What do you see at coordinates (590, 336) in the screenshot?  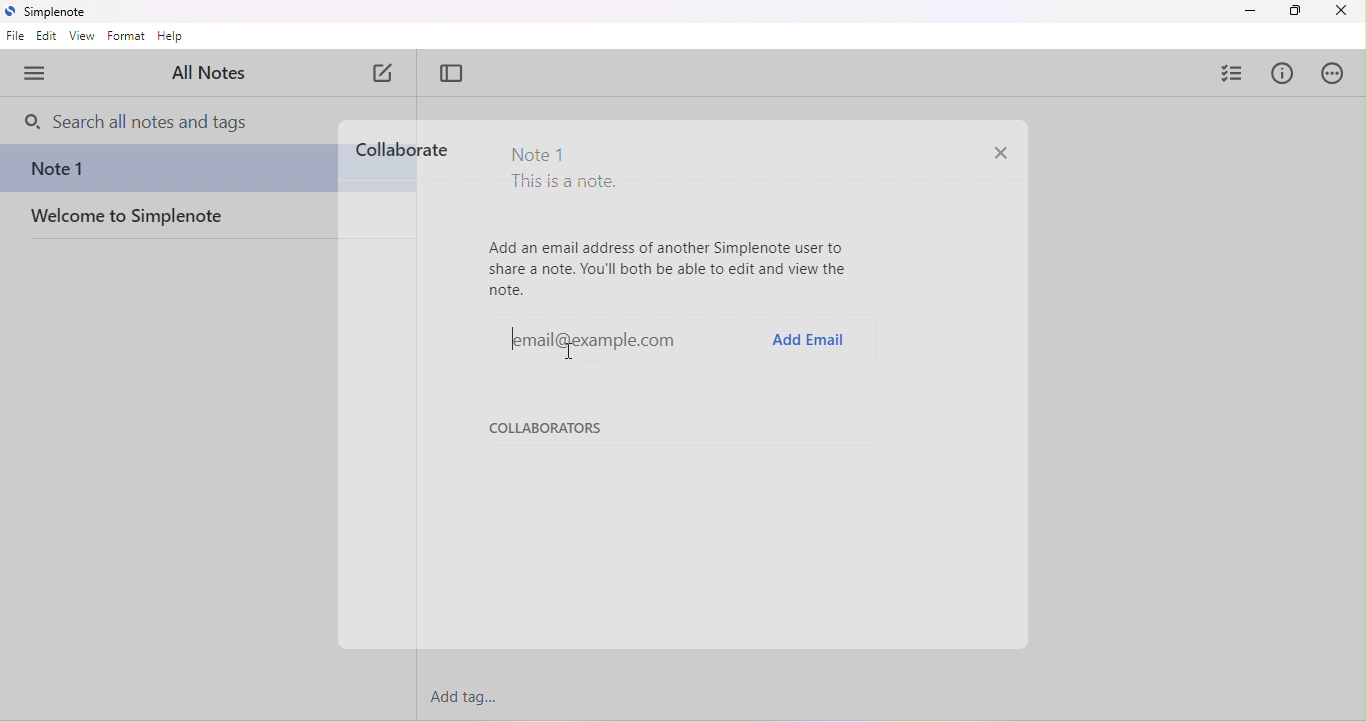 I see `example email id` at bounding box center [590, 336].